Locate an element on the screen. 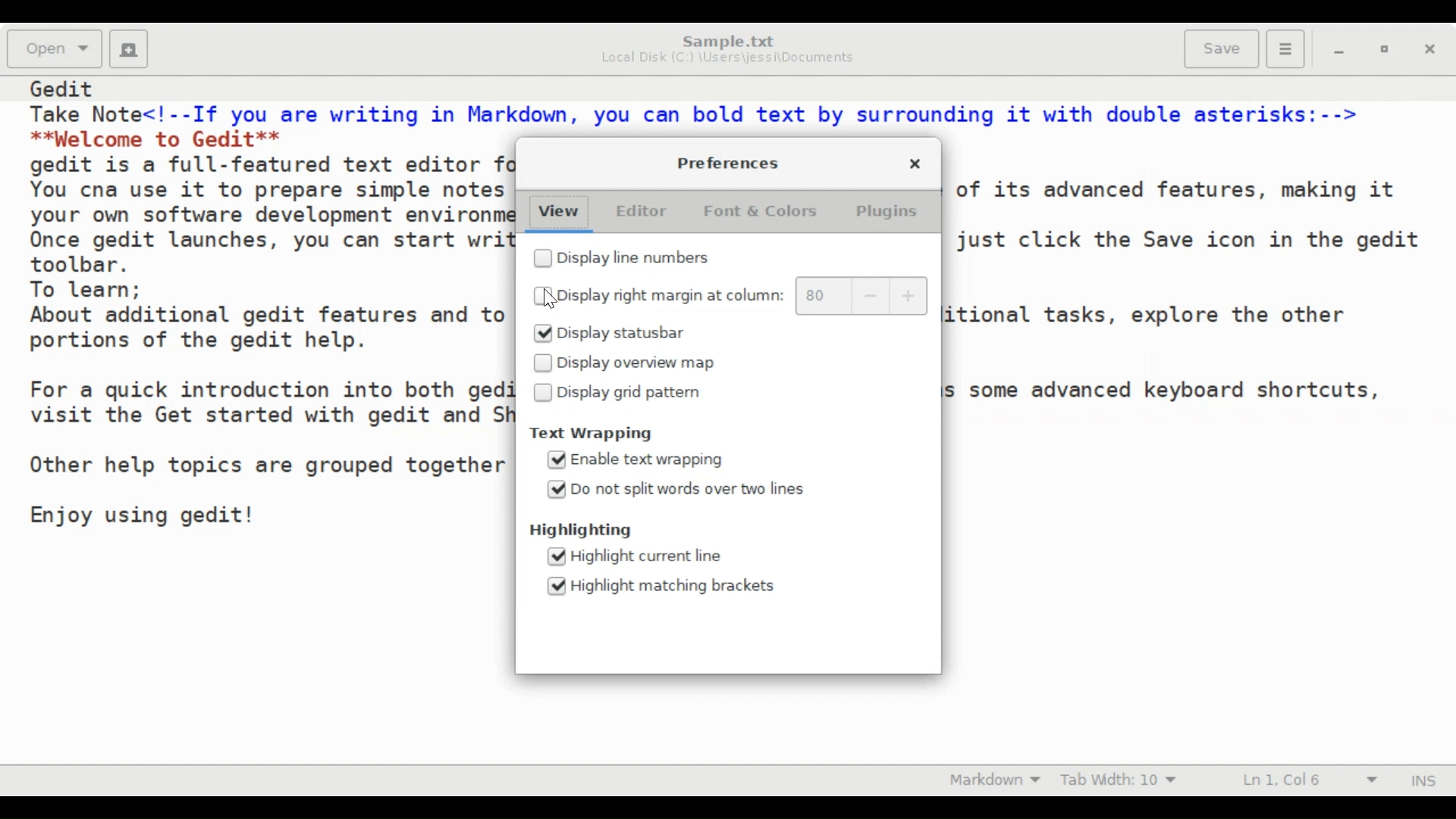  Application menu is located at coordinates (1287, 49).